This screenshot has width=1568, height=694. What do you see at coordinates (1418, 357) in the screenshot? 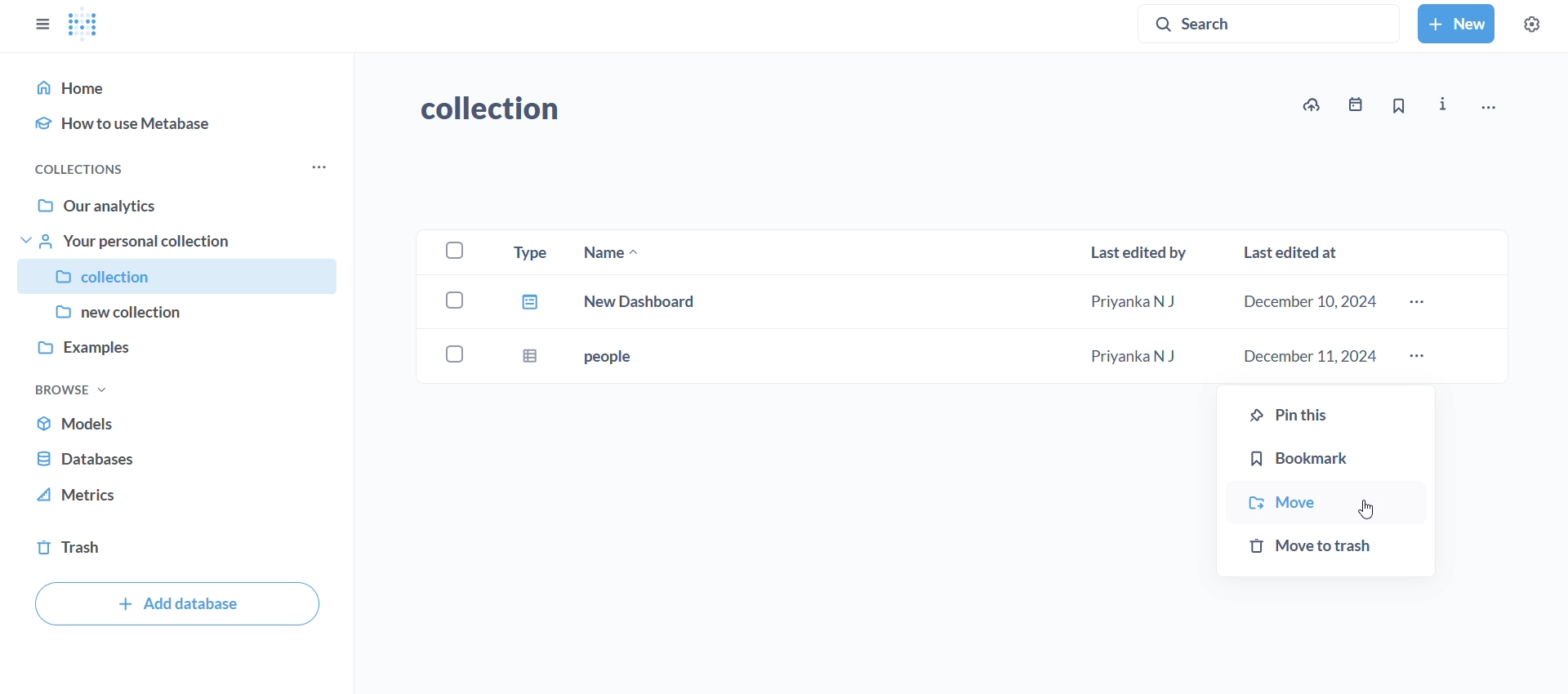
I see `more` at bounding box center [1418, 357].